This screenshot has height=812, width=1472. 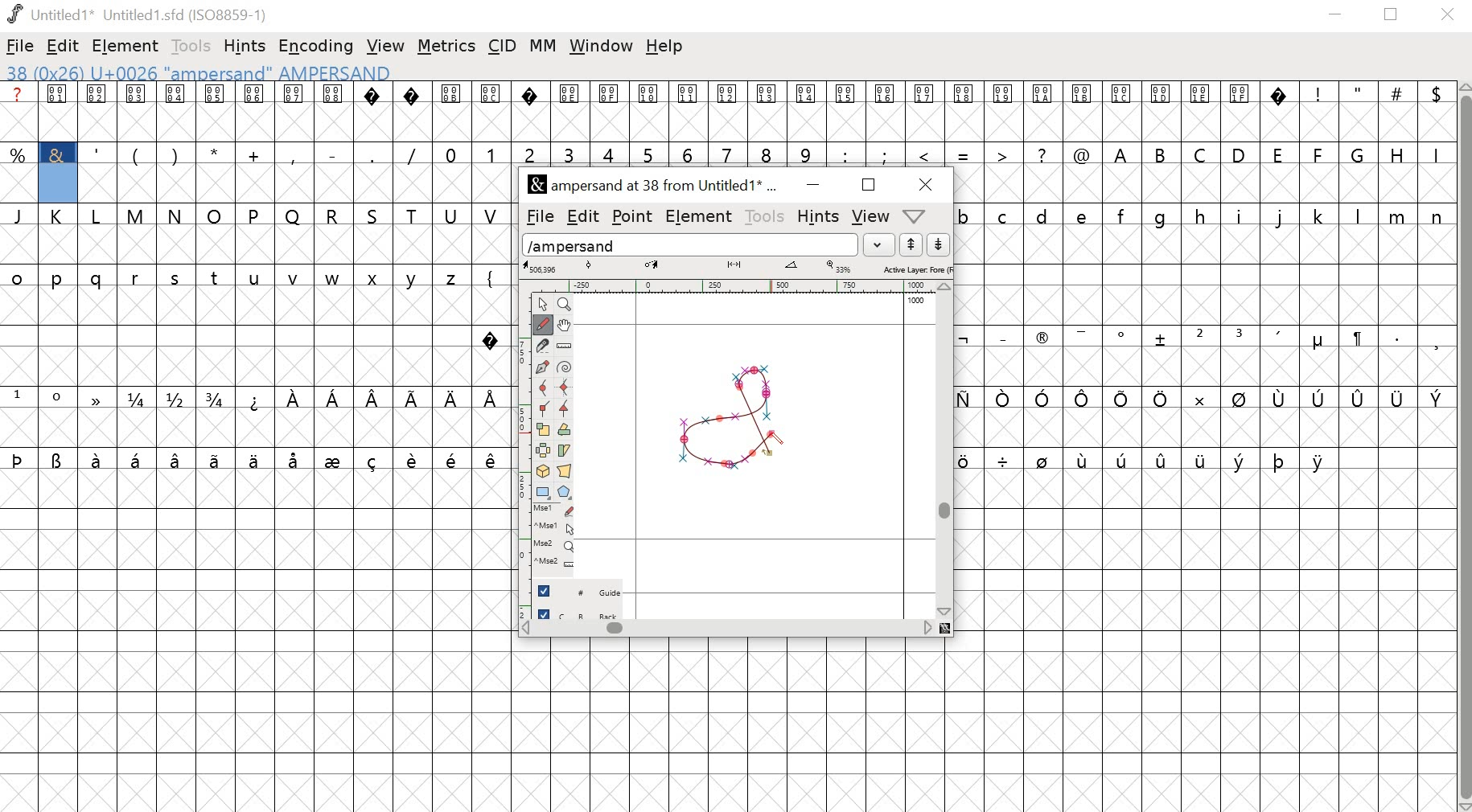 What do you see at coordinates (736, 285) in the screenshot?
I see `horizontal ruler` at bounding box center [736, 285].